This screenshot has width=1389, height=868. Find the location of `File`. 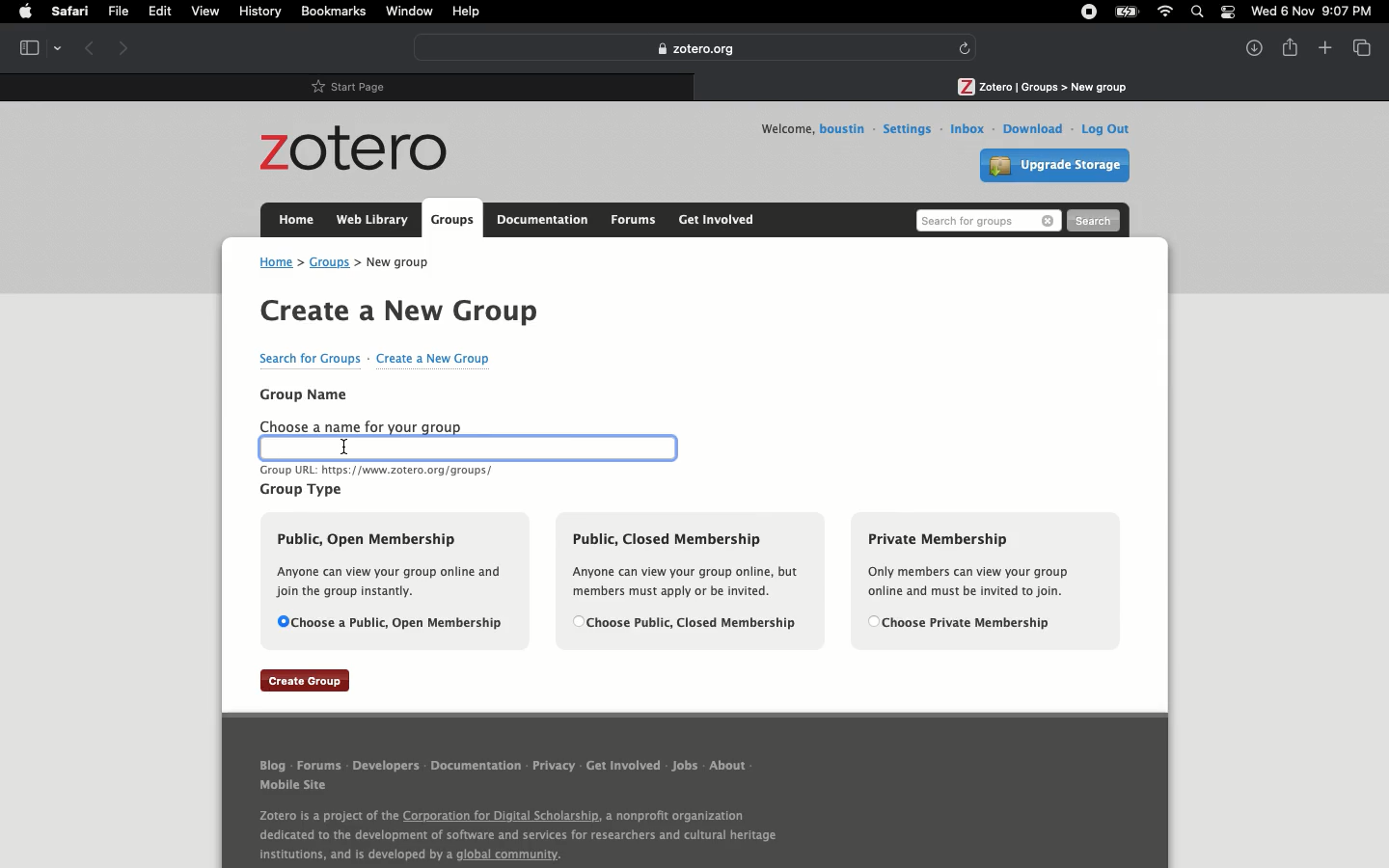

File is located at coordinates (122, 12).